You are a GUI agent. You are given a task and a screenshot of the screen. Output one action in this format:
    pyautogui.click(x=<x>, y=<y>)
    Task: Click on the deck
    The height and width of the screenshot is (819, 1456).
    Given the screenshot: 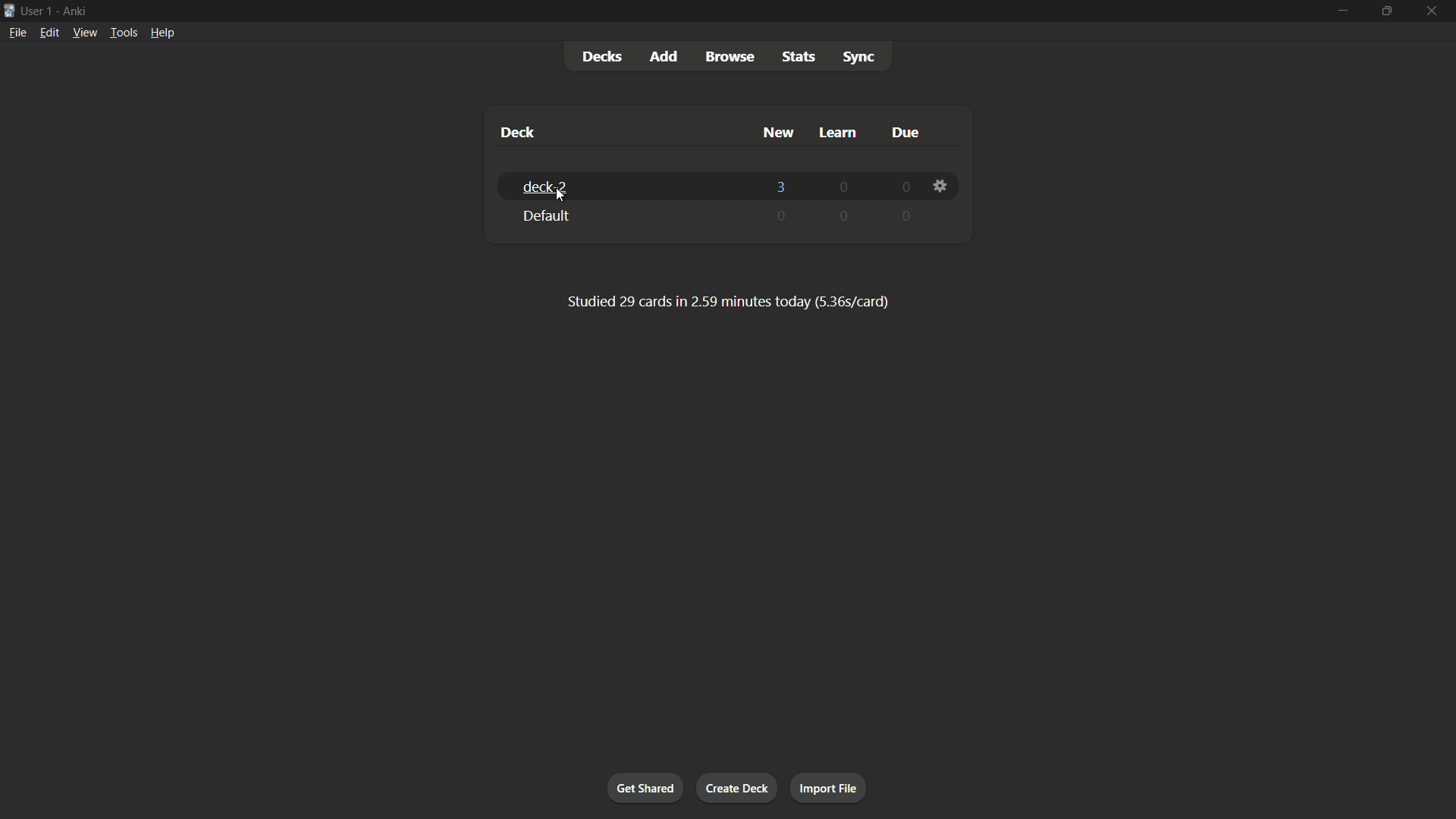 What is the action you would take?
    pyautogui.click(x=517, y=133)
    